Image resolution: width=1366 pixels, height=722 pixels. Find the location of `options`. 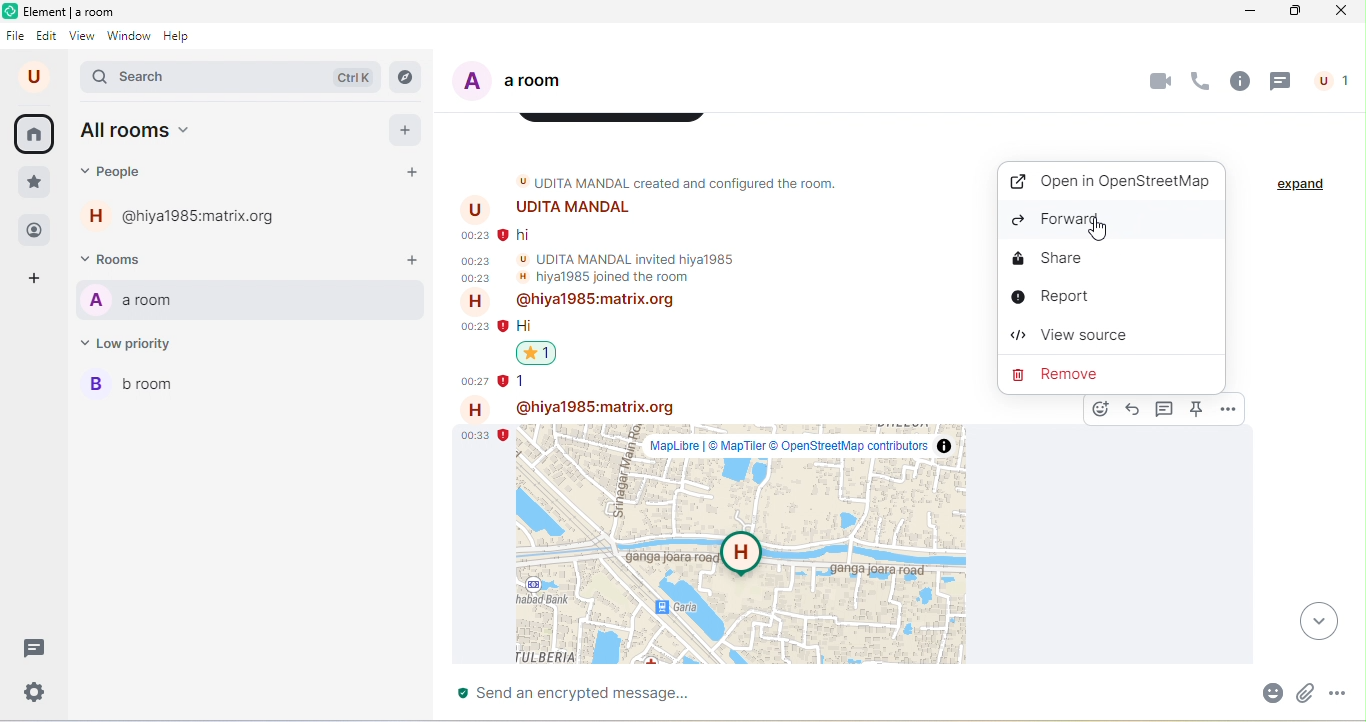

options is located at coordinates (1229, 409).